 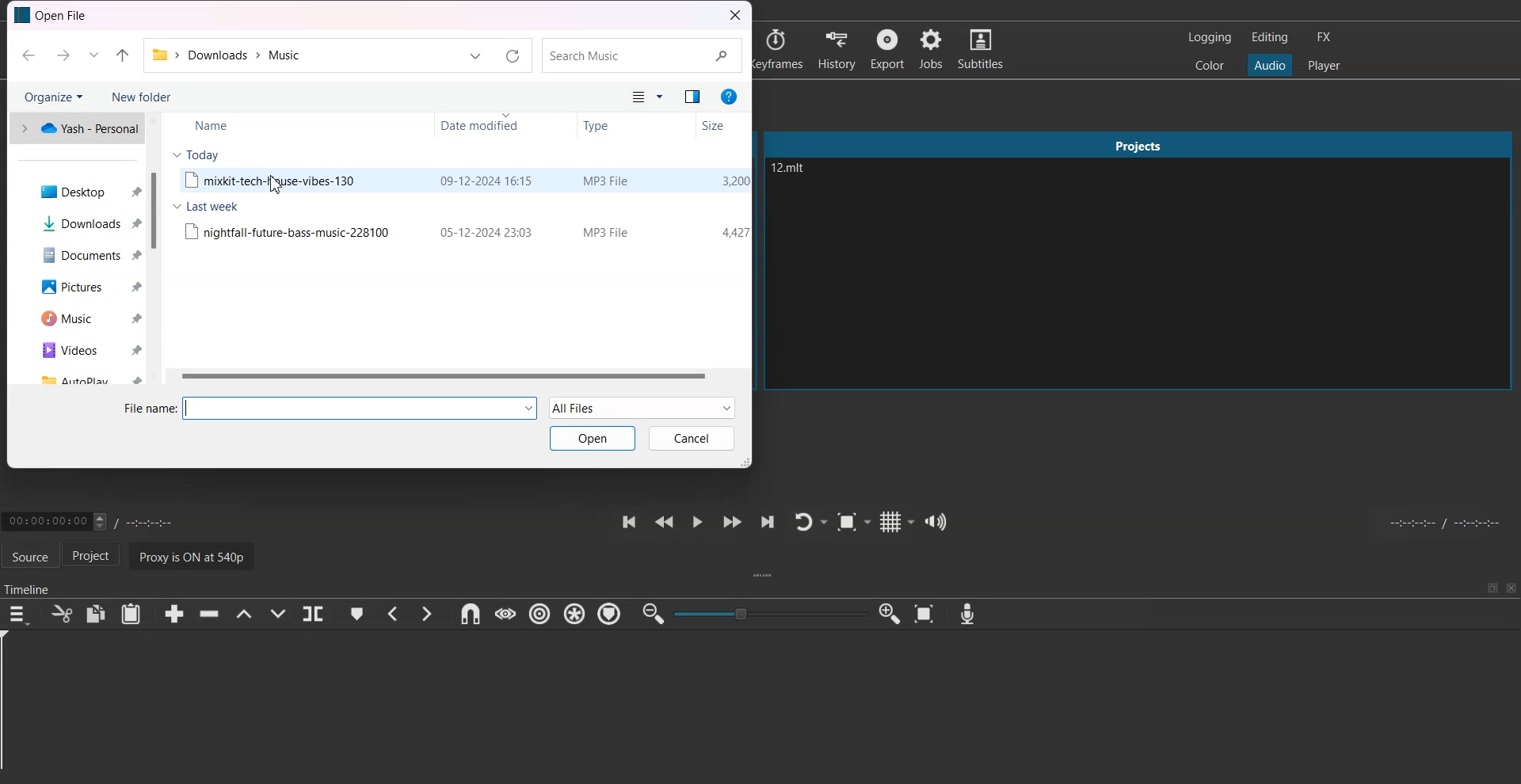 What do you see at coordinates (1492, 588) in the screenshot?
I see `Minimize` at bounding box center [1492, 588].